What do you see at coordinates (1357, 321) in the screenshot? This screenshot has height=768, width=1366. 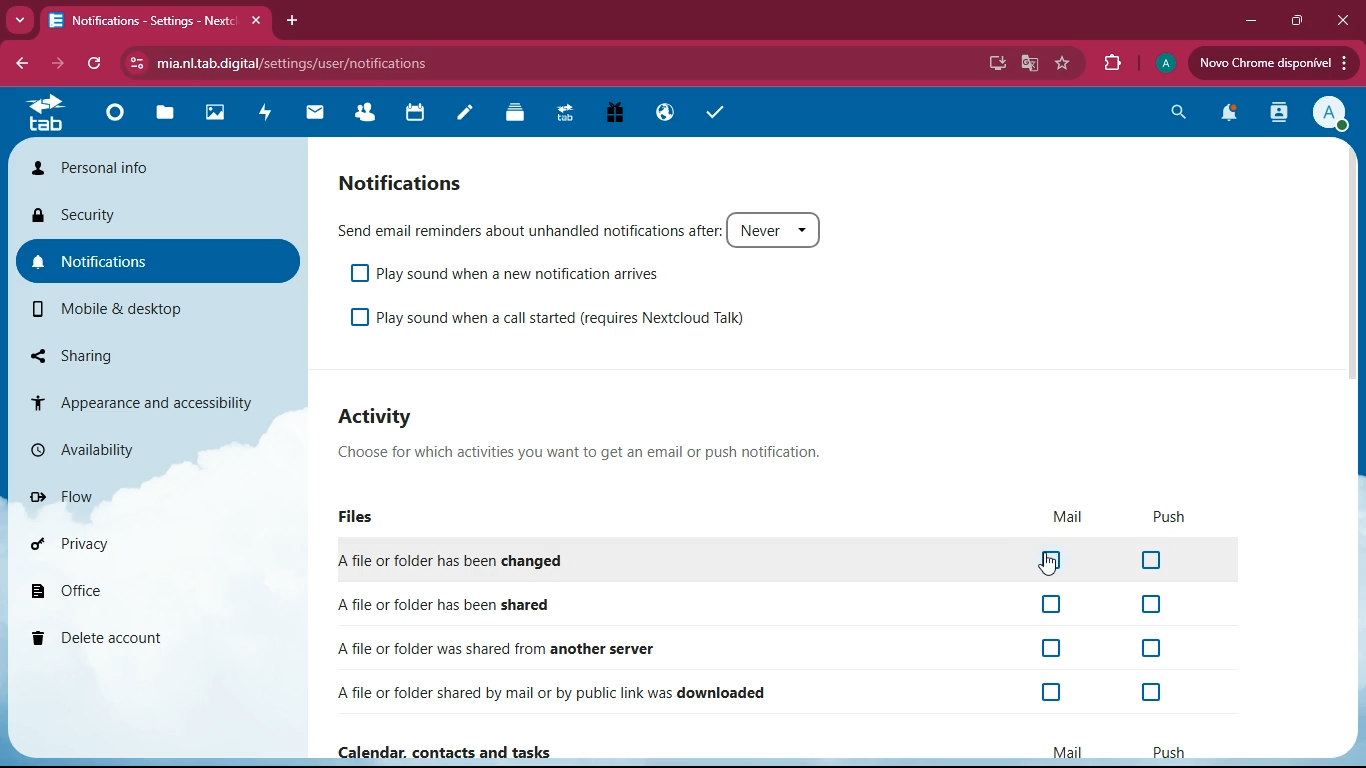 I see `scroll bar` at bounding box center [1357, 321].